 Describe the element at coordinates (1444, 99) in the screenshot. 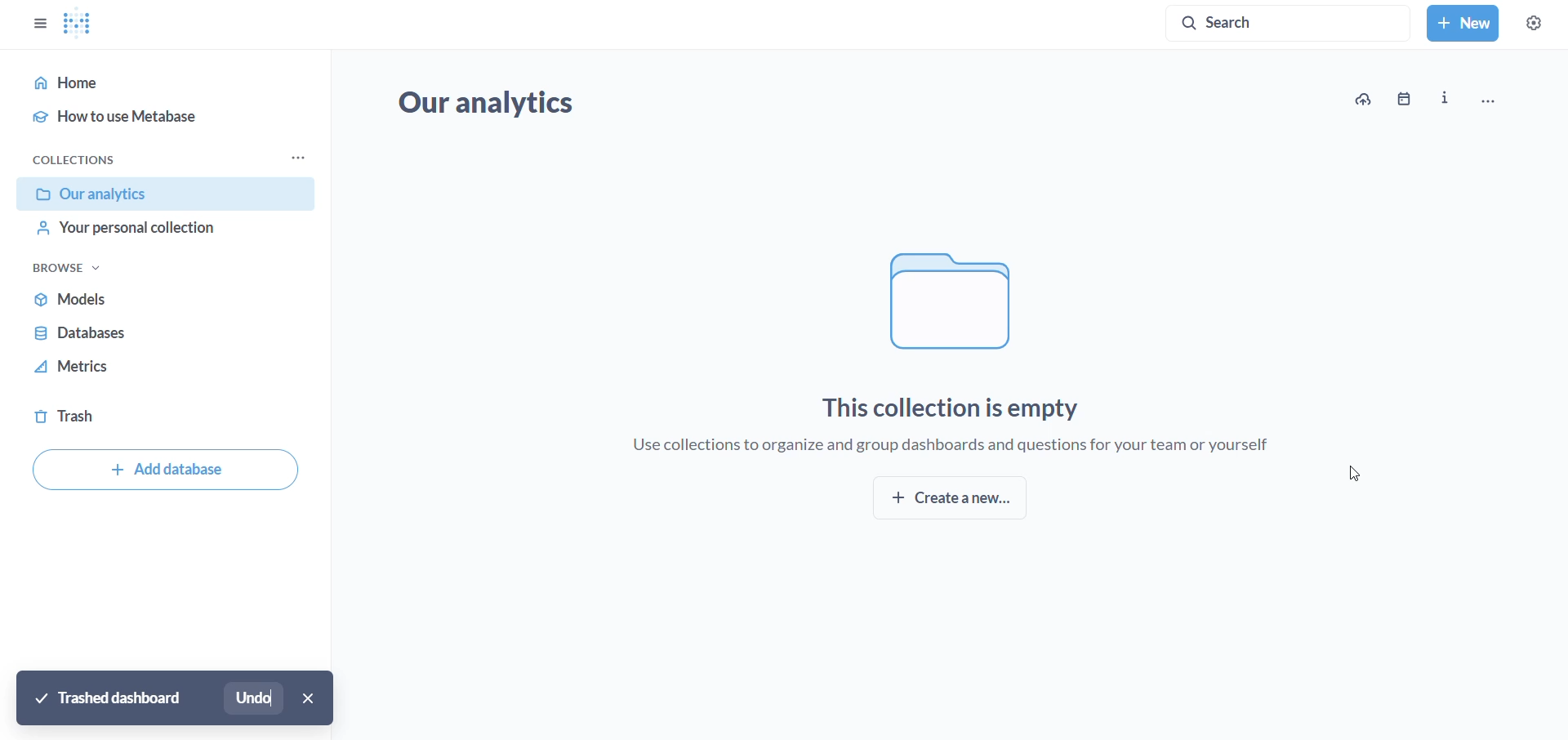

I see `info` at that location.